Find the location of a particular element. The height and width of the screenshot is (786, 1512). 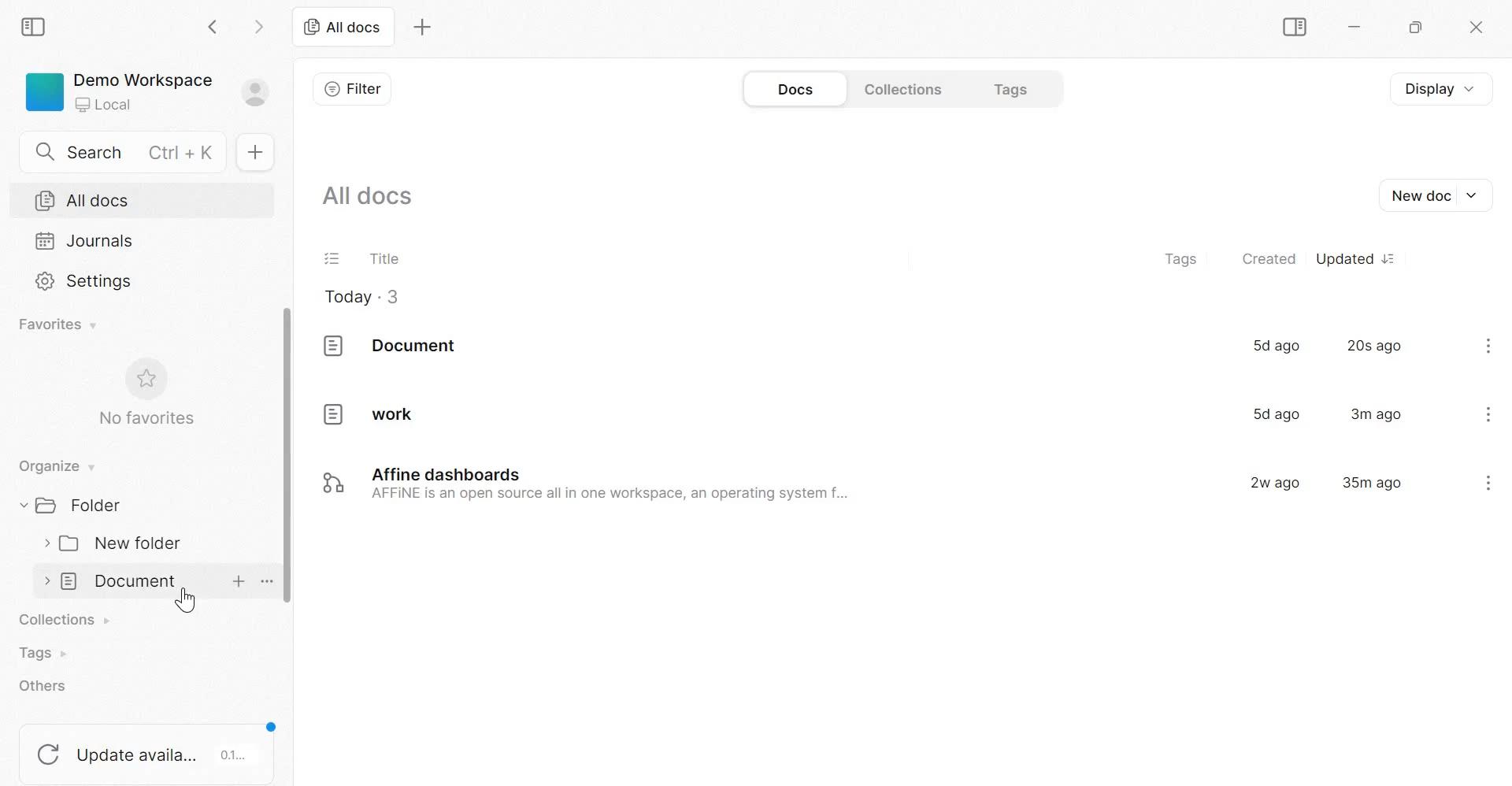

5d ago is located at coordinates (1277, 344).